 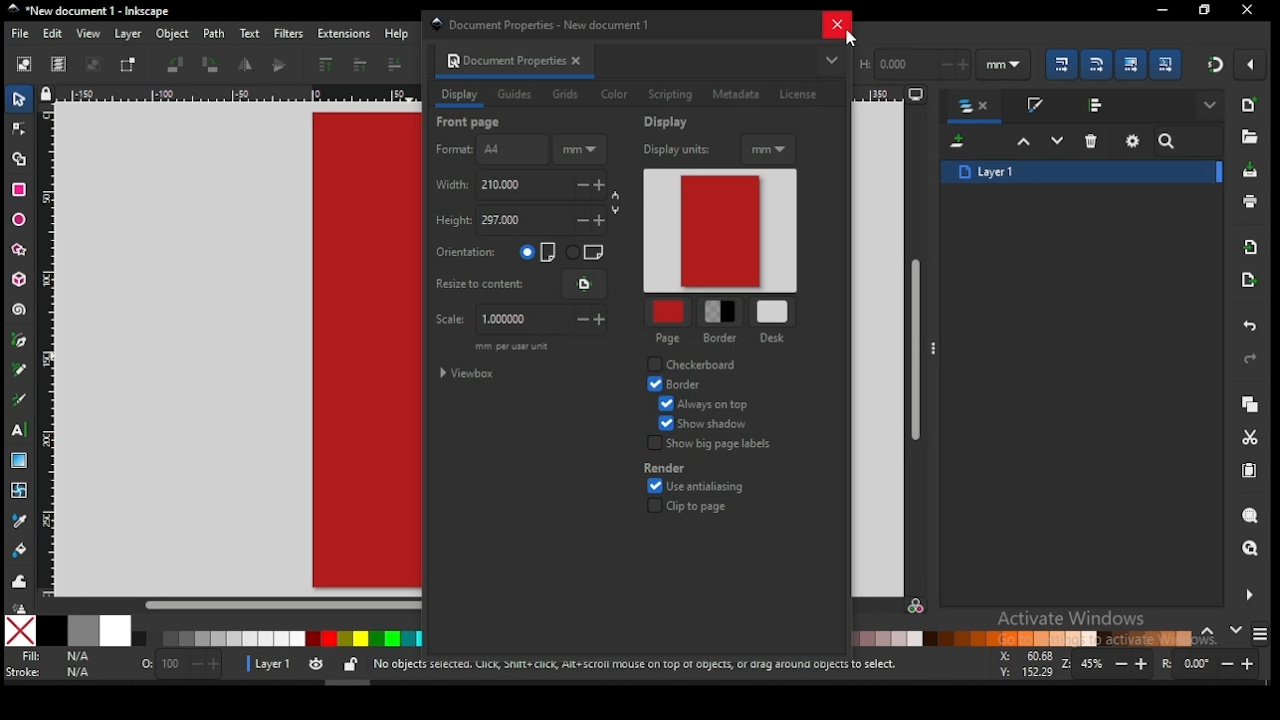 What do you see at coordinates (517, 96) in the screenshot?
I see `guides` at bounding box center [517, 96].